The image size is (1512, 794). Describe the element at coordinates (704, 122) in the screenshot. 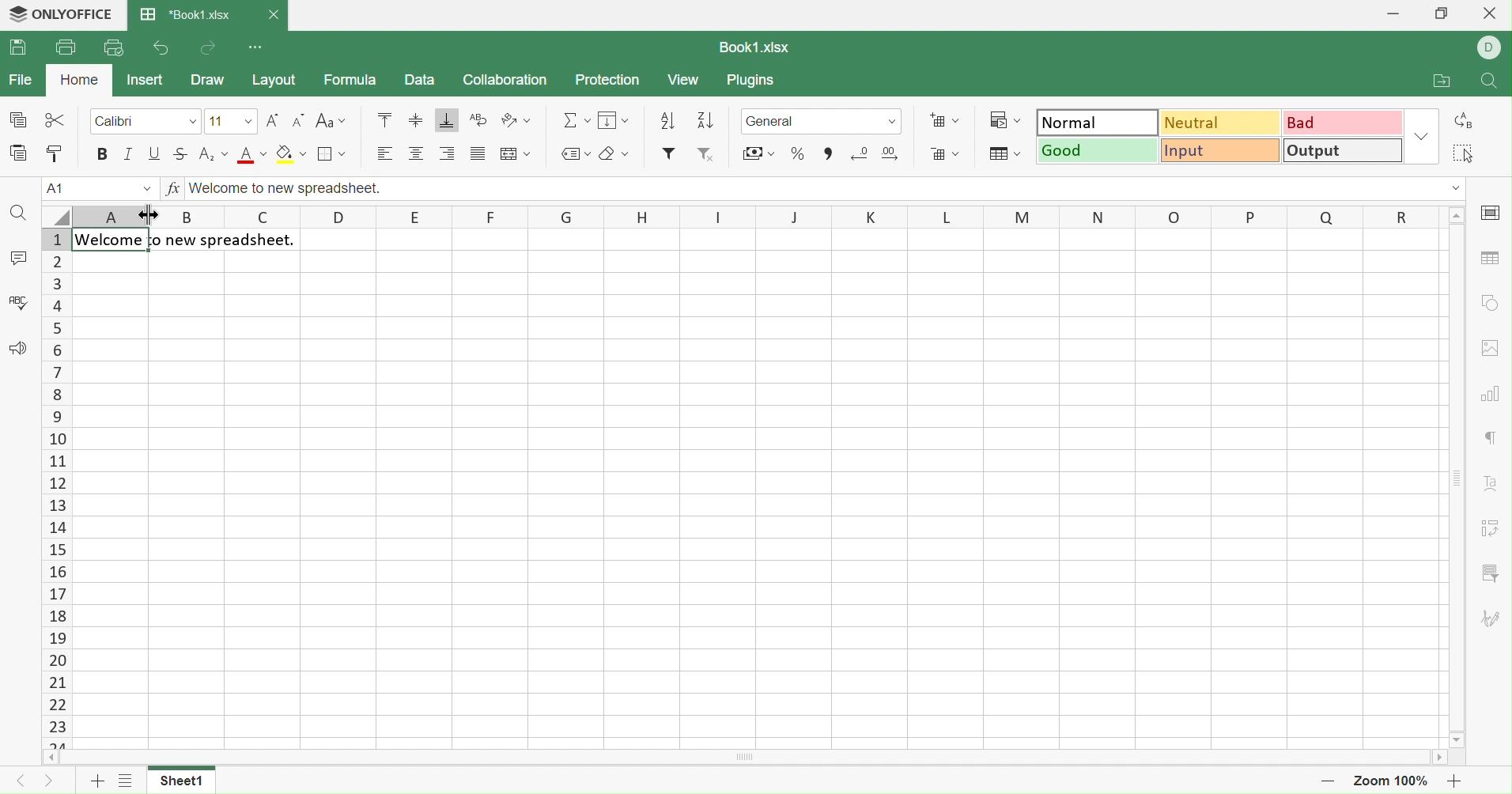

I see `Descending order` at that location.